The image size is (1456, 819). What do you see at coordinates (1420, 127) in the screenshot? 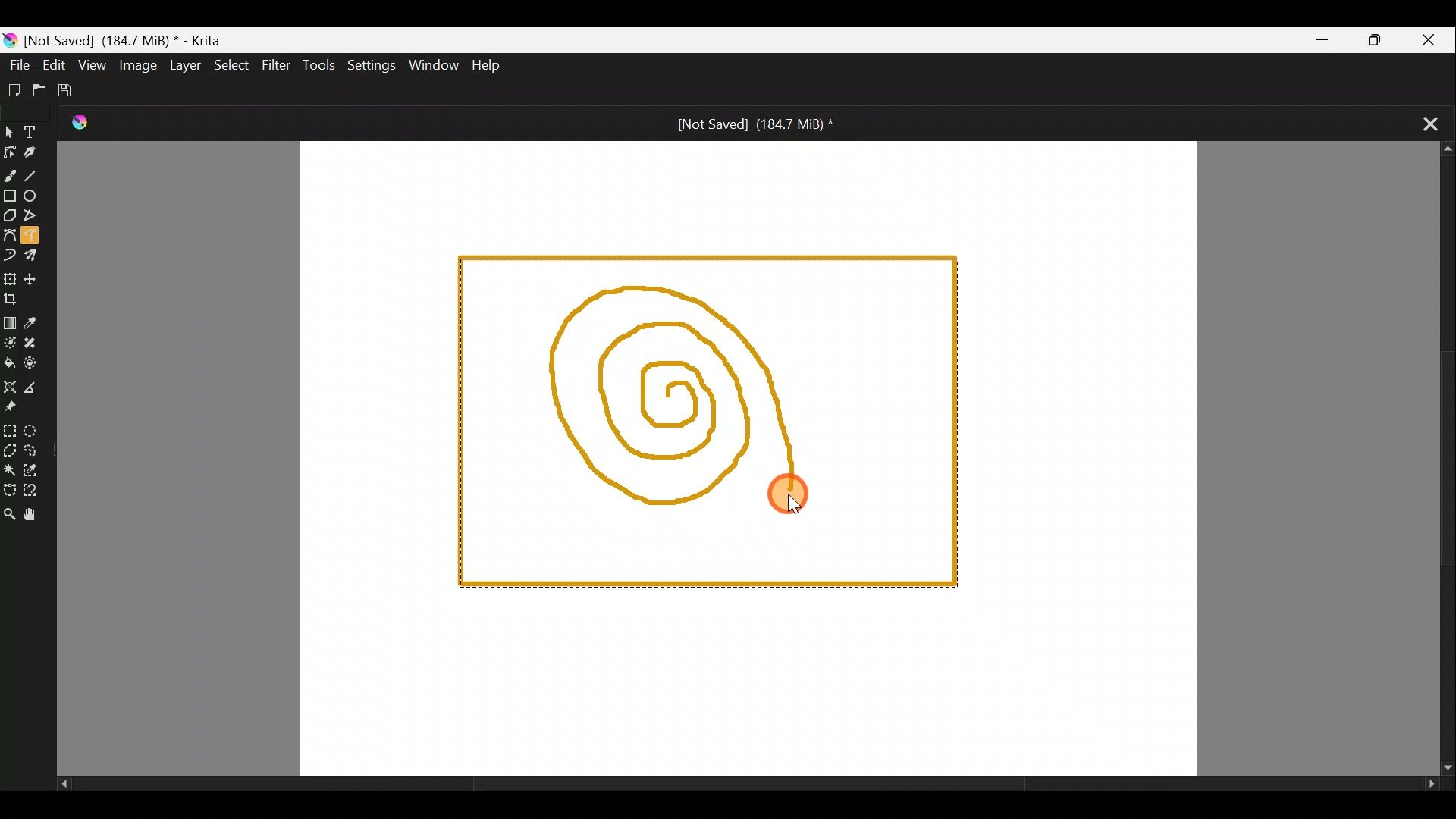
I see `Close tab` at bounding box center [1420, 127].